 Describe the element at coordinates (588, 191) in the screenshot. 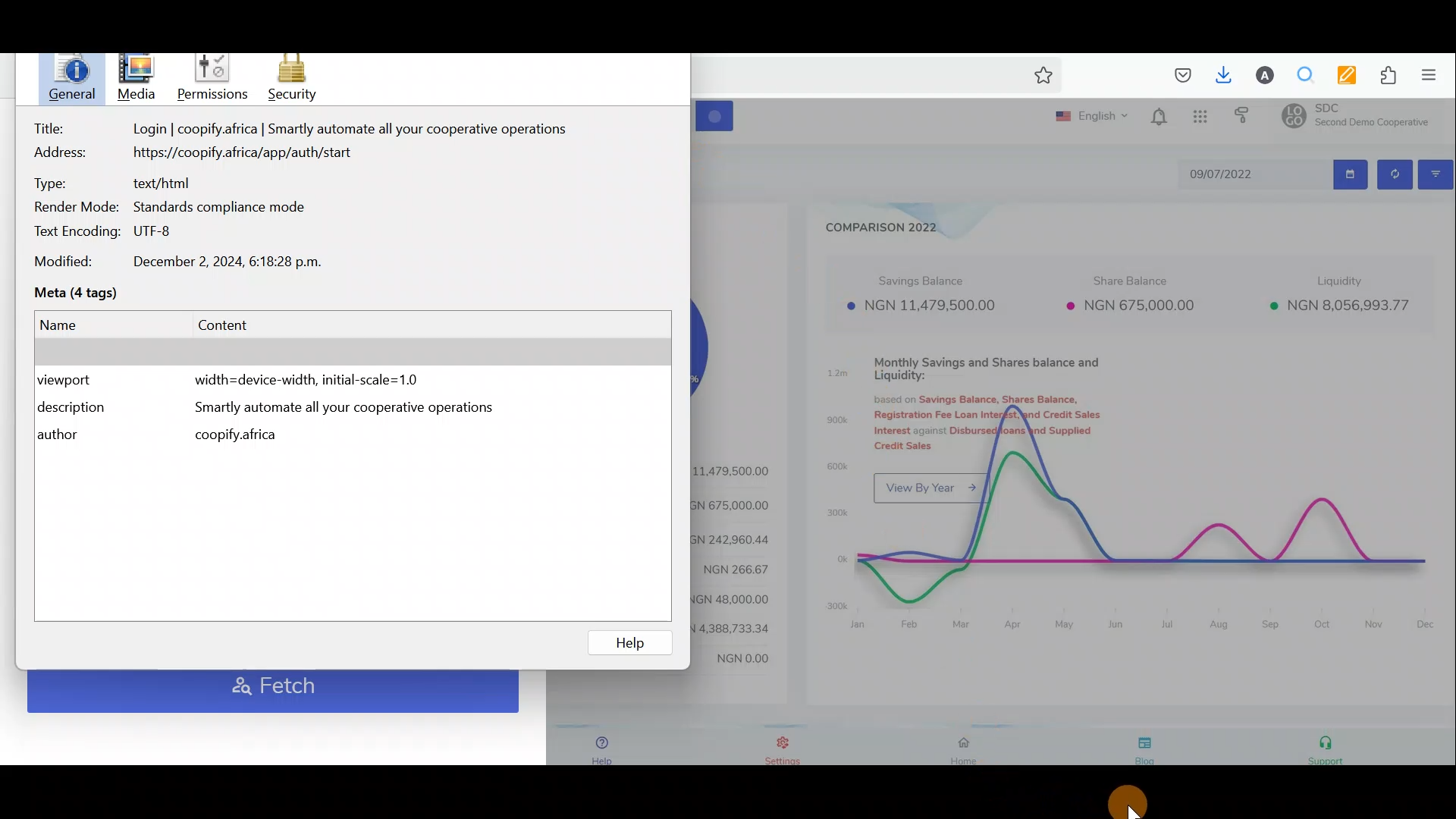

I see `Background` at that location.